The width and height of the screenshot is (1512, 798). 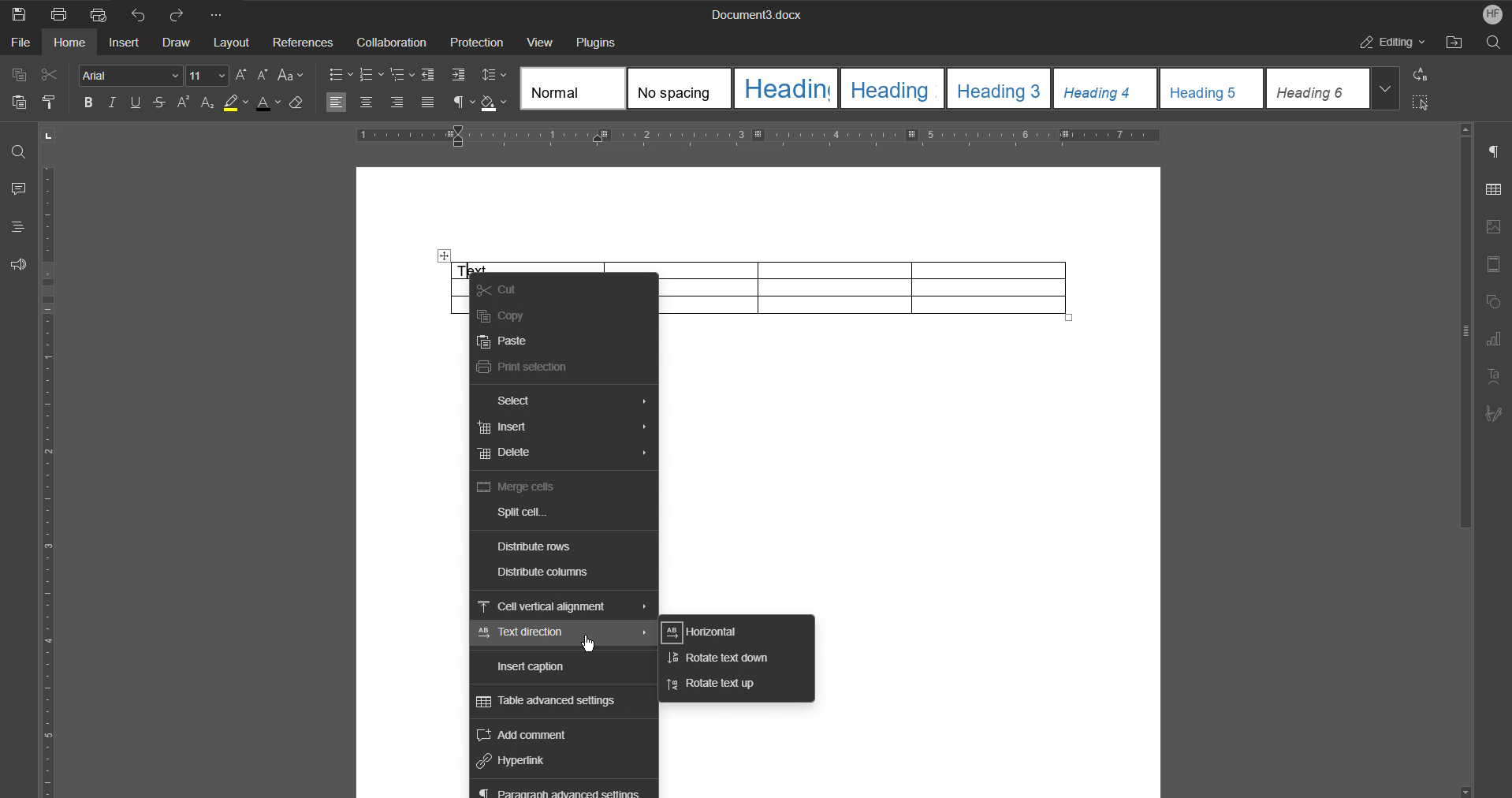 I want to click on Copy, so click(x=502, y=316).